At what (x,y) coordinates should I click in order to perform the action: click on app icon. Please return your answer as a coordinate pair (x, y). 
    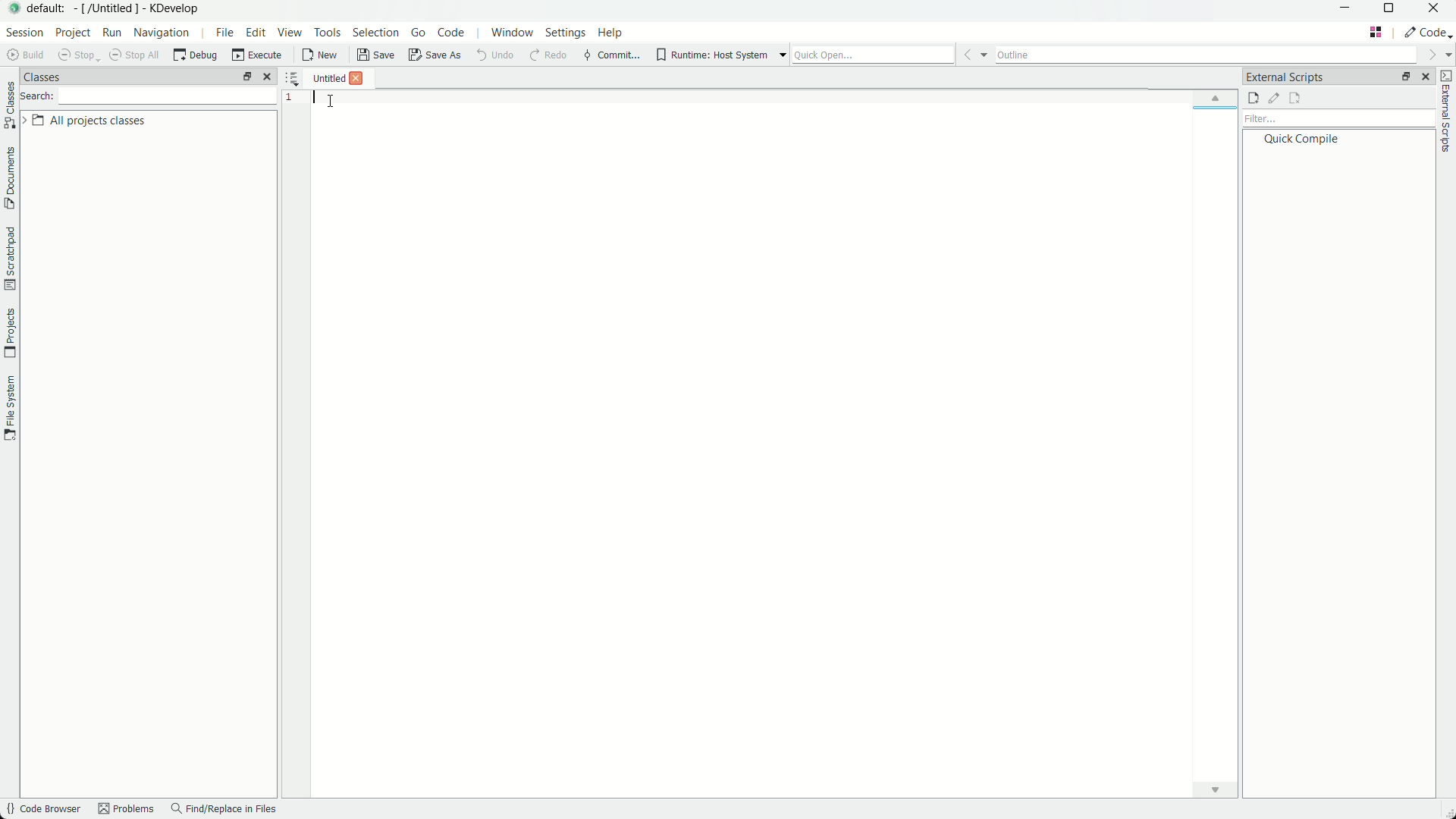
    Looking at the image, I should click on (15, 9).